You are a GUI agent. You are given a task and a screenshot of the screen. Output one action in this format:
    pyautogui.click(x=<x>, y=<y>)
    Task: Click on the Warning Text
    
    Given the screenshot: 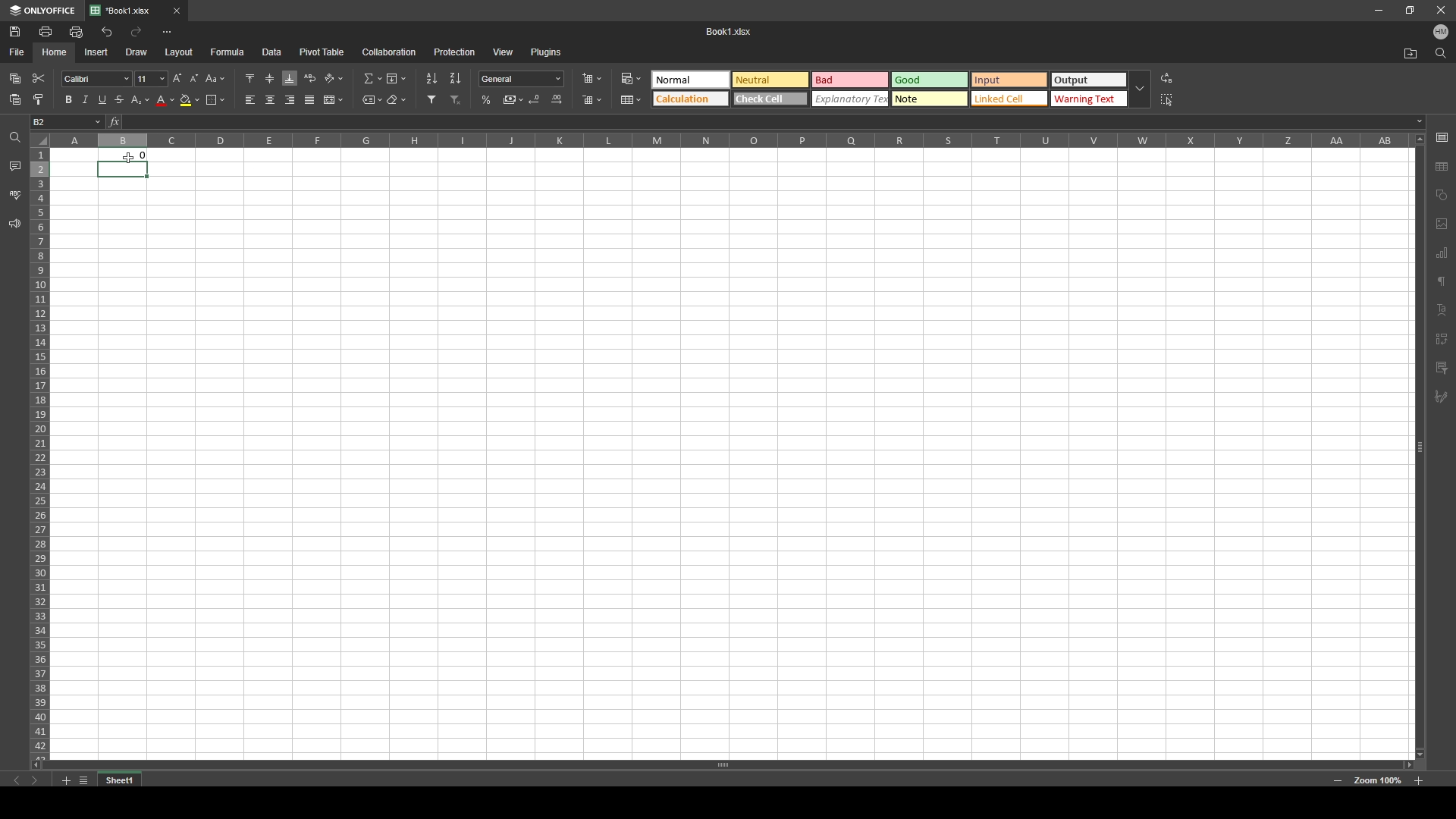 What is the action you would take?
    pyautogui.click(x=1089, y=100)
    